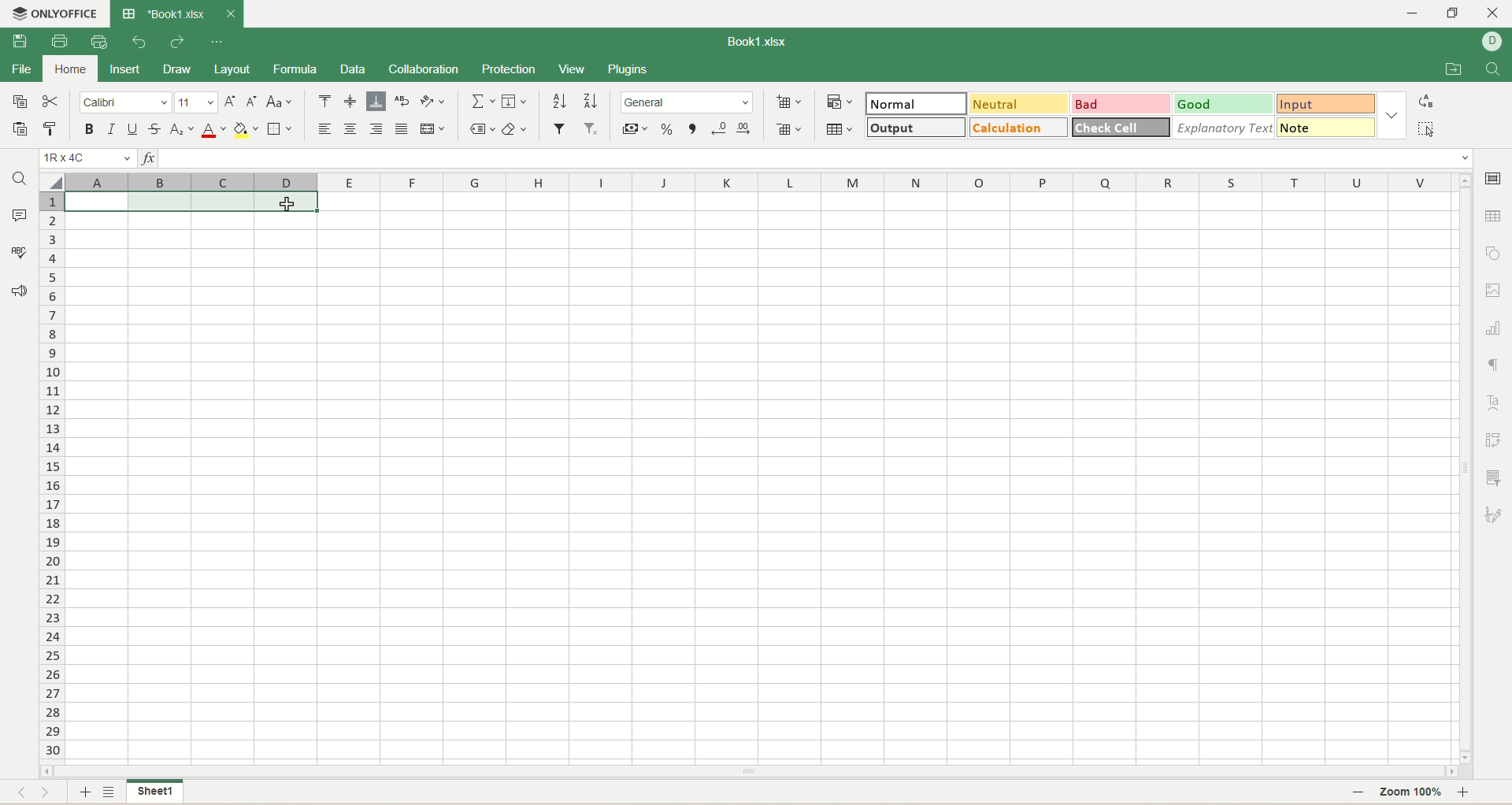 Image resolution: width=1512 pixels, height=805 pixels. Describe the element at coordinates (1358, 793) in the screenshot. I see `zoom out` at that location.